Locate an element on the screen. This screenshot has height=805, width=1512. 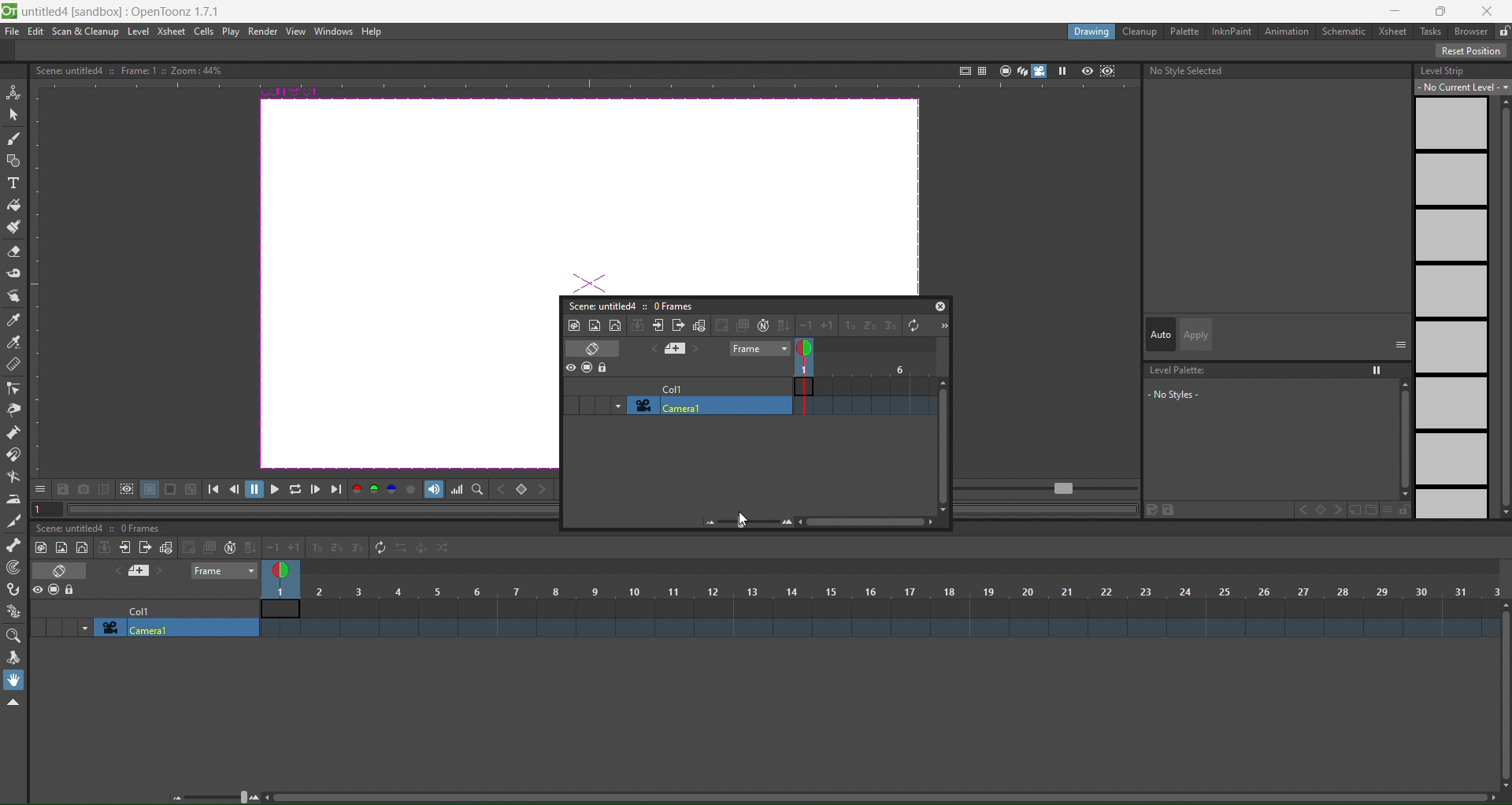
FPS  is located at coordinates (1048, 489).